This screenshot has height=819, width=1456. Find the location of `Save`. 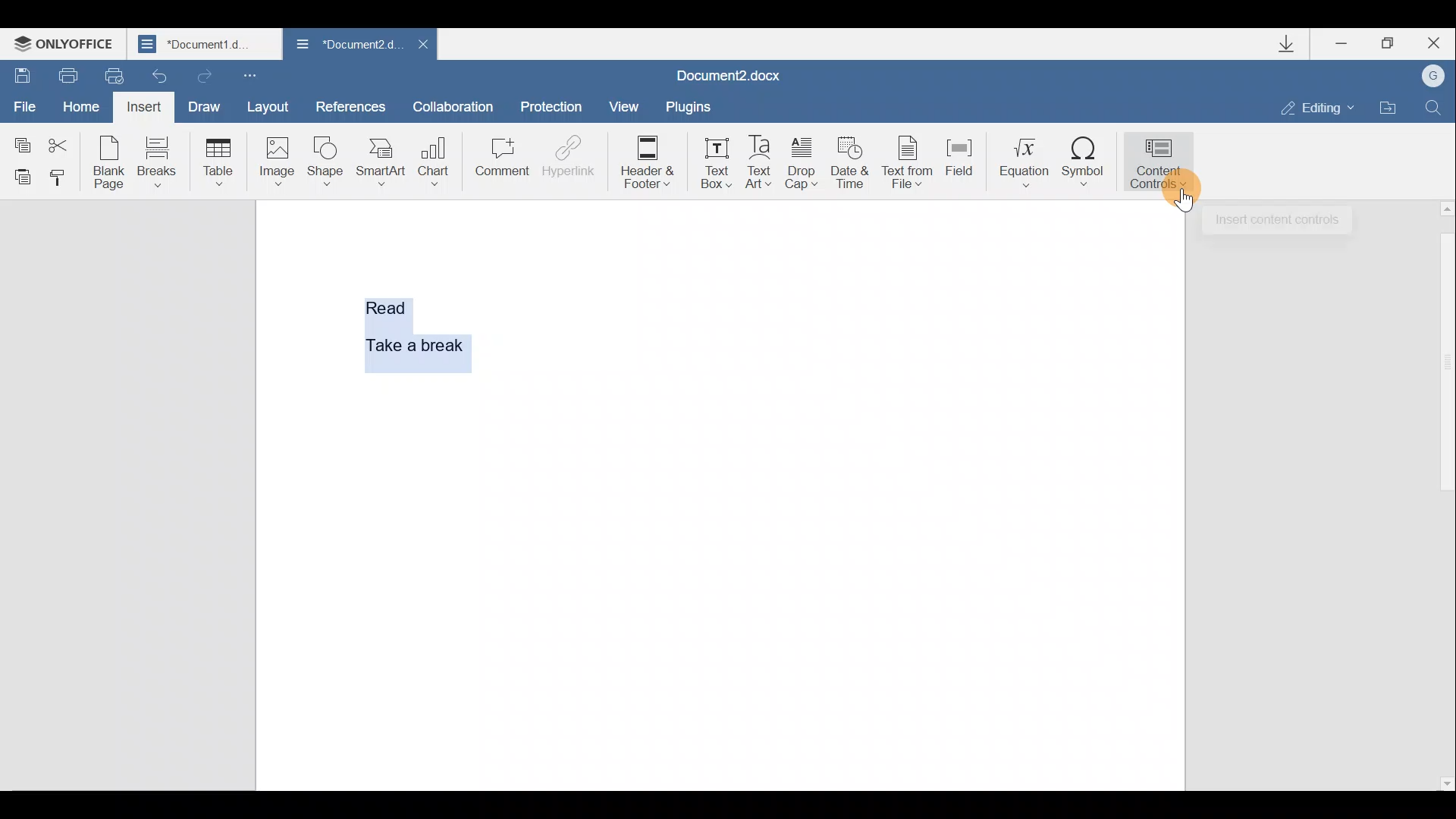

Save is located at coordinates (21, 71).